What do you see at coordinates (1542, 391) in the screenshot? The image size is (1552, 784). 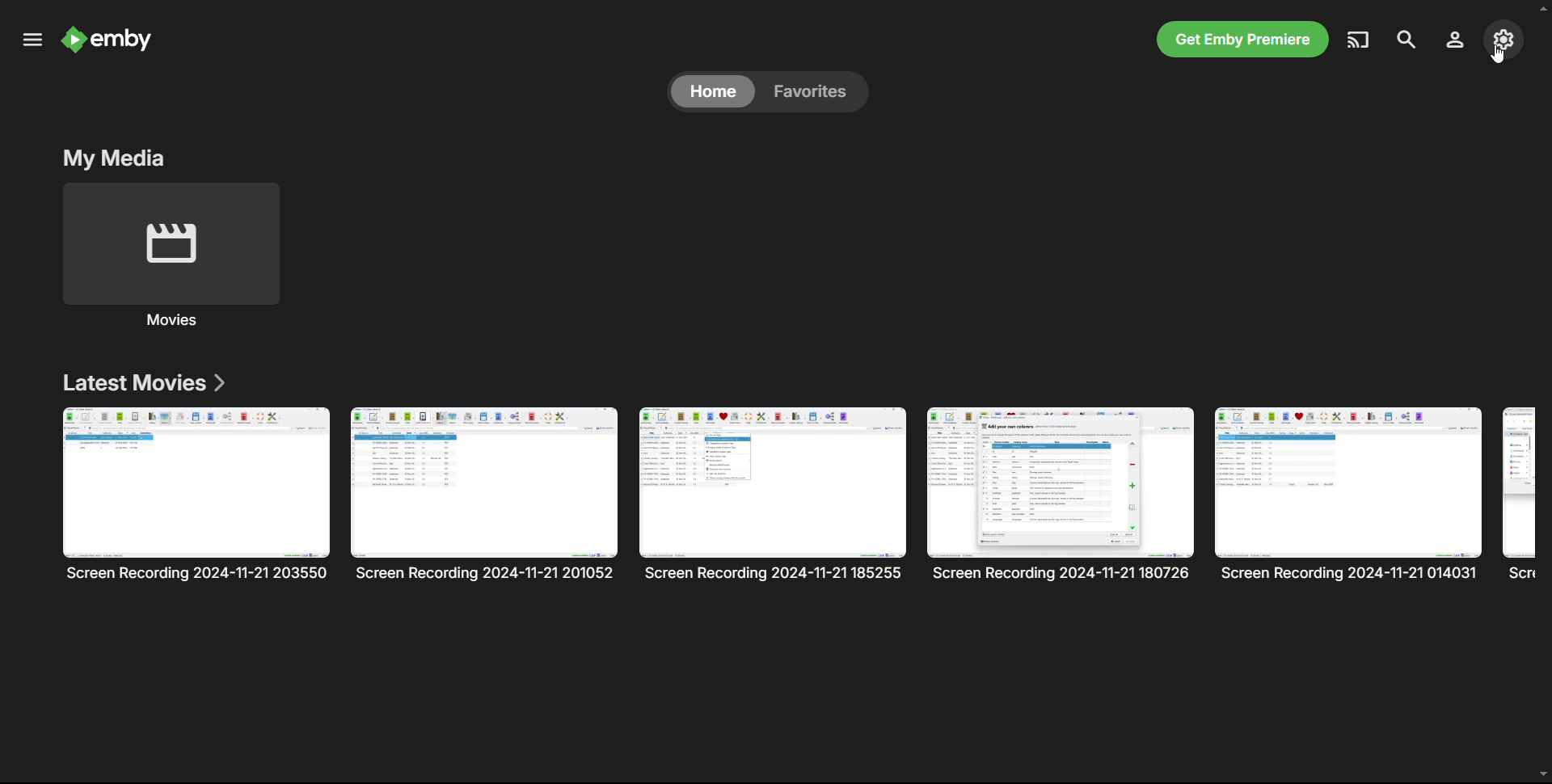 I see `scroll bar` at bounding box center [1542, 391].